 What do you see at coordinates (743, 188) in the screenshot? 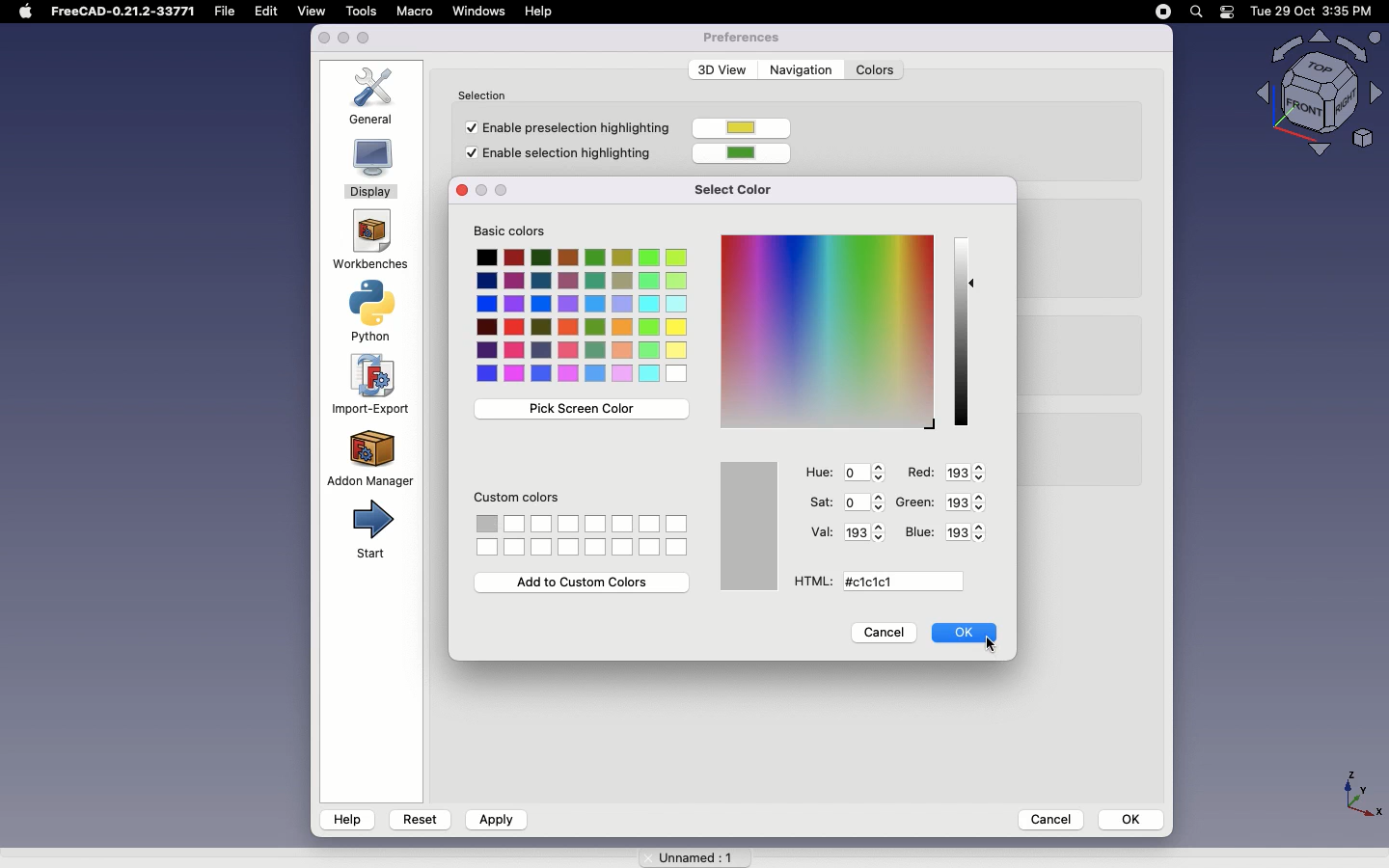
I see `Select color` at bounding box center [743, 188].